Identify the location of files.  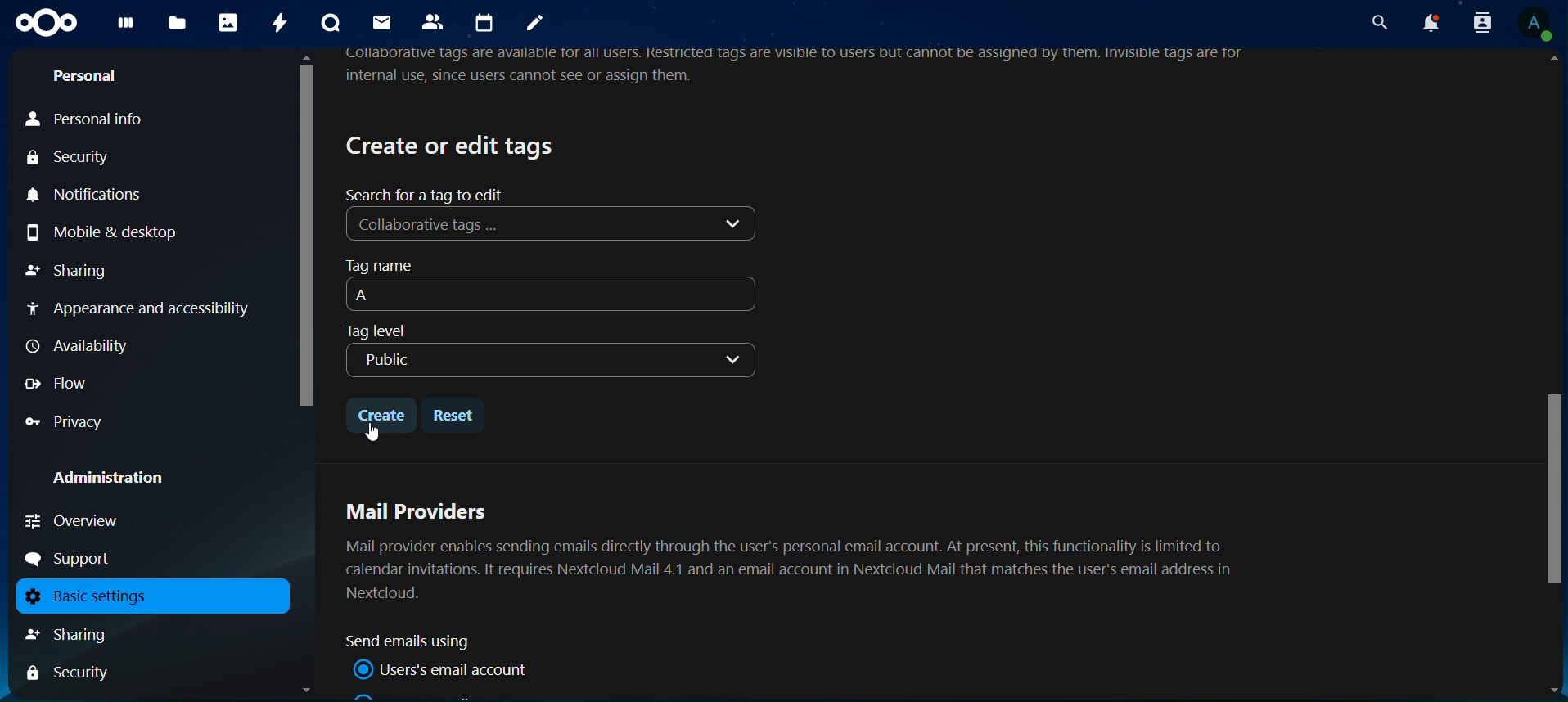
(177, 24).